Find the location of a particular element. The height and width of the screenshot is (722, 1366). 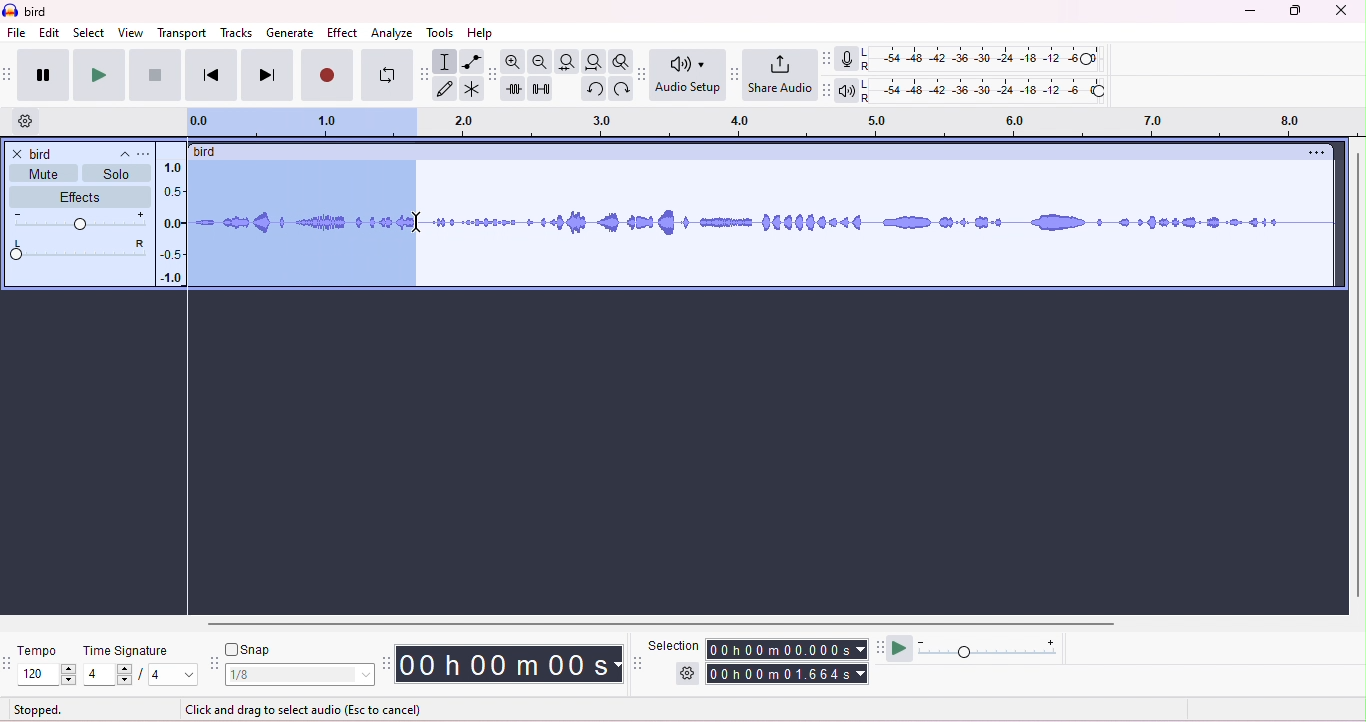

cursor moved is located at coordinates (417, 223).